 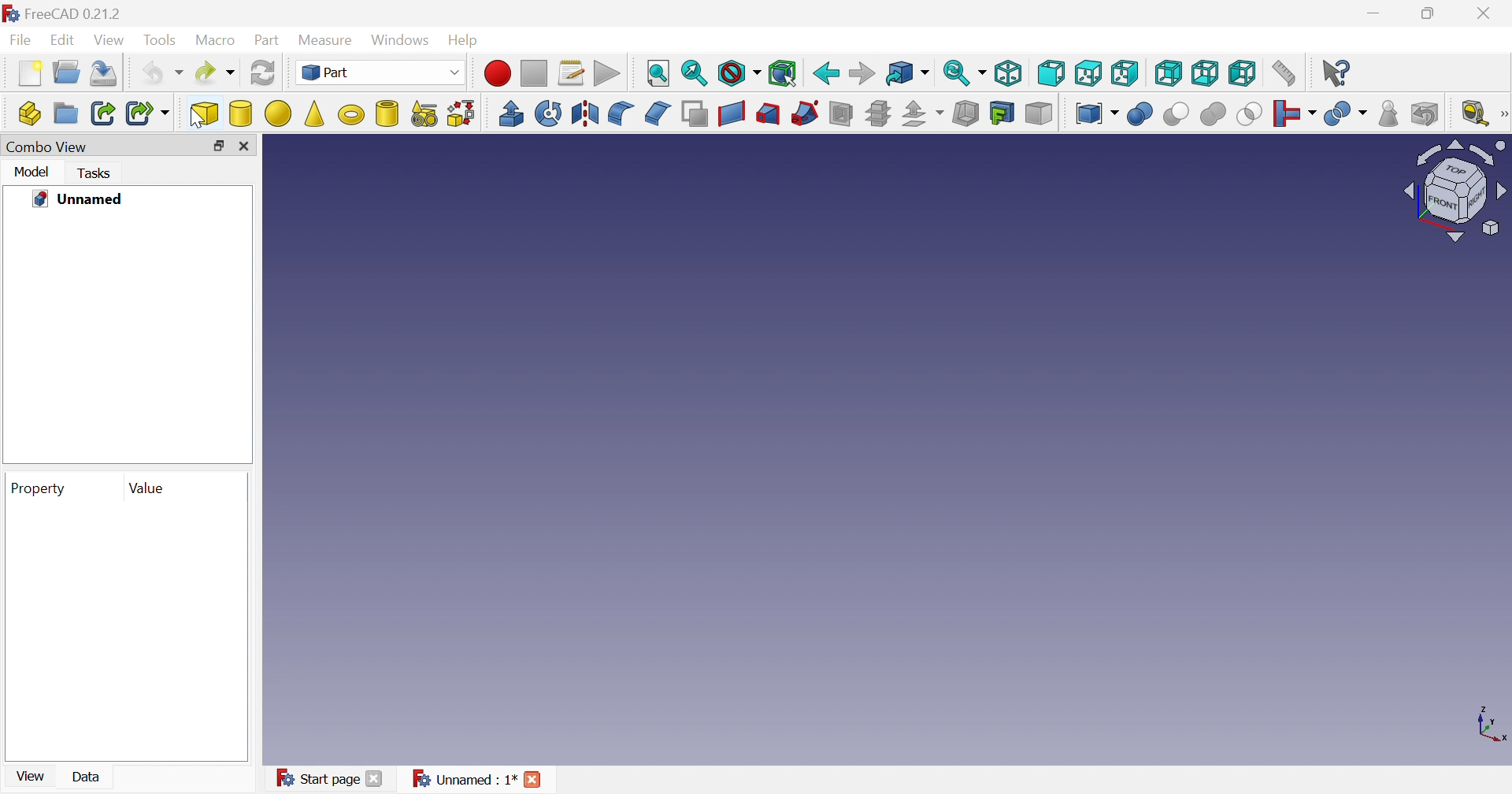 What do you see at coordinates (423, 113) in the screenshot?
I see `Create primitives` at bounding box center [423, 113].